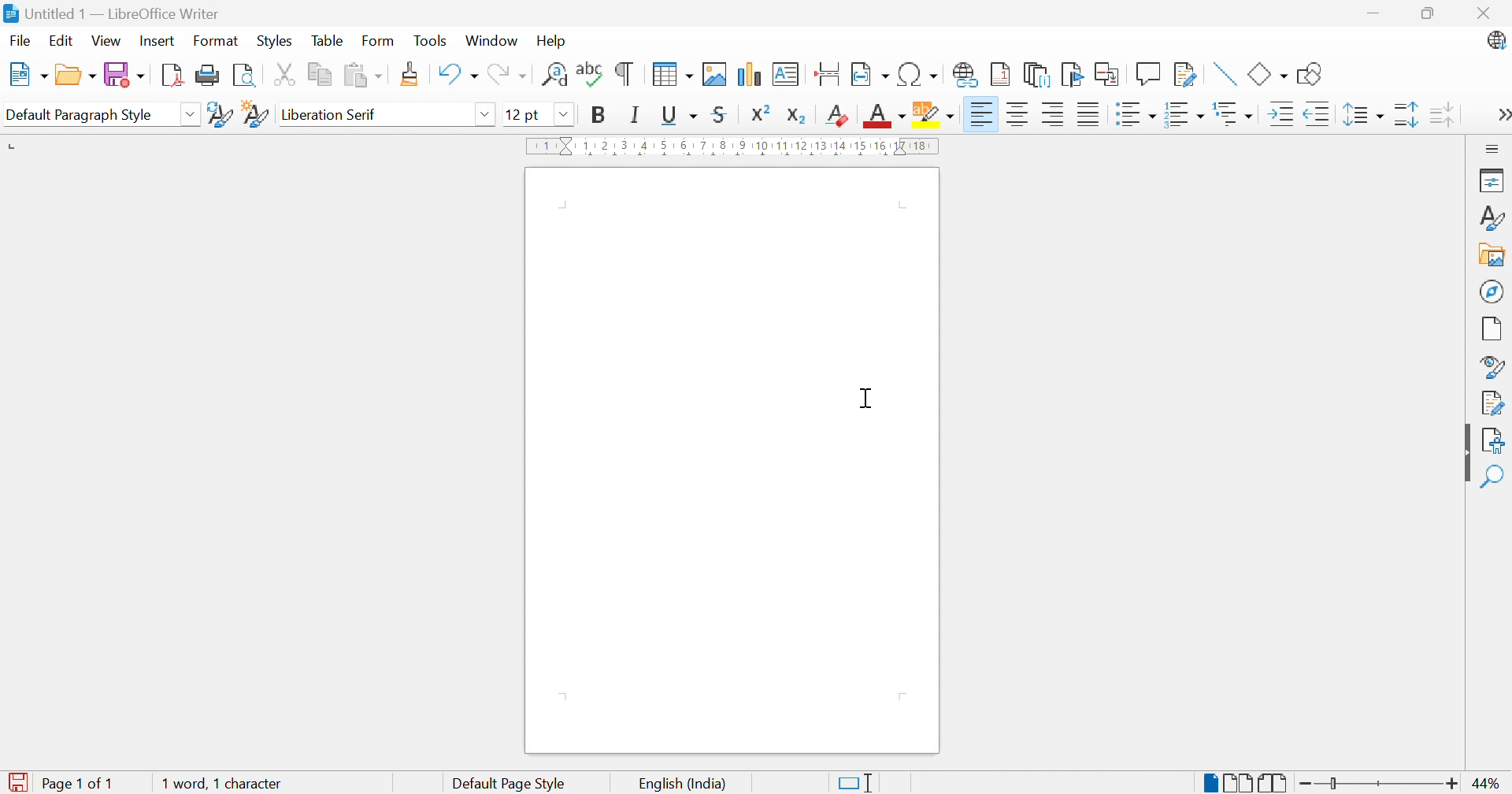  What do you see at coordinates (680, 114) in the screenshot?
I see `Underline` at bounding box center [680, 114].